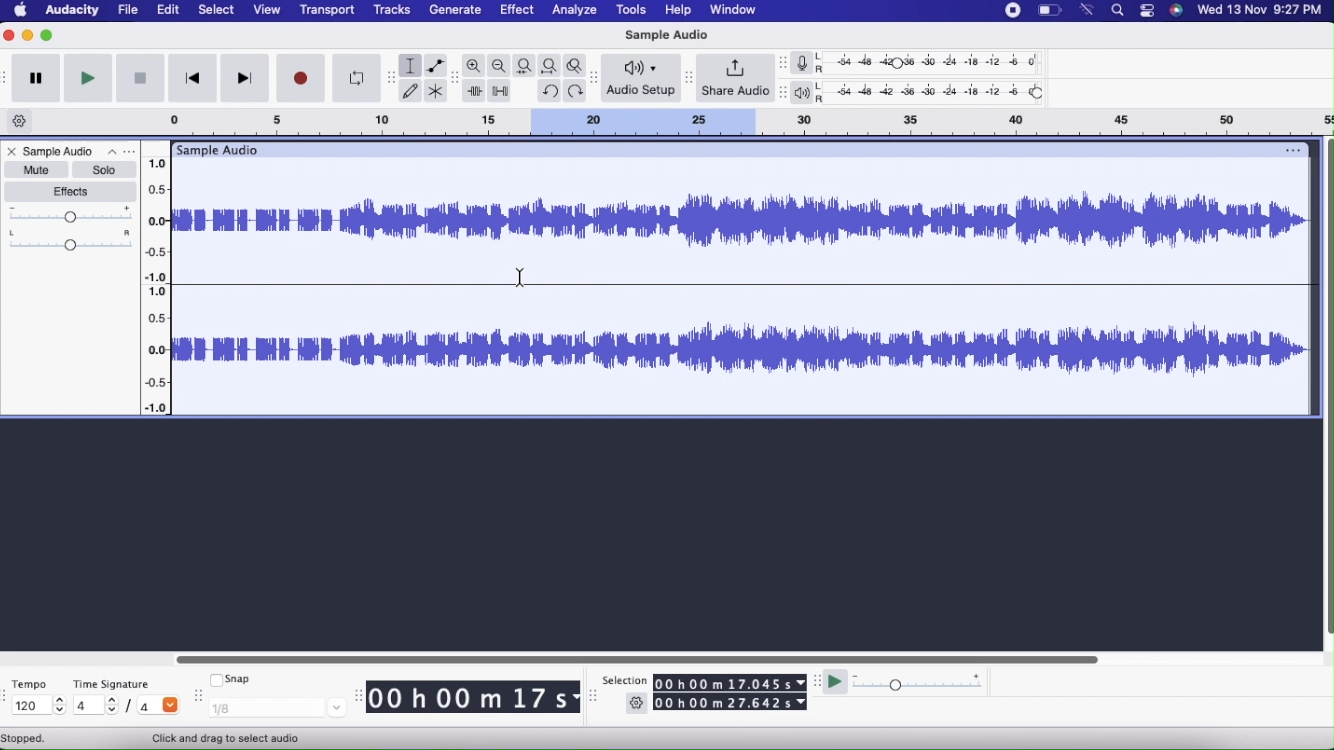 Image resolution: width=1334 pixels, height=750 pixels. I want to click on Home, so click(21, 9).